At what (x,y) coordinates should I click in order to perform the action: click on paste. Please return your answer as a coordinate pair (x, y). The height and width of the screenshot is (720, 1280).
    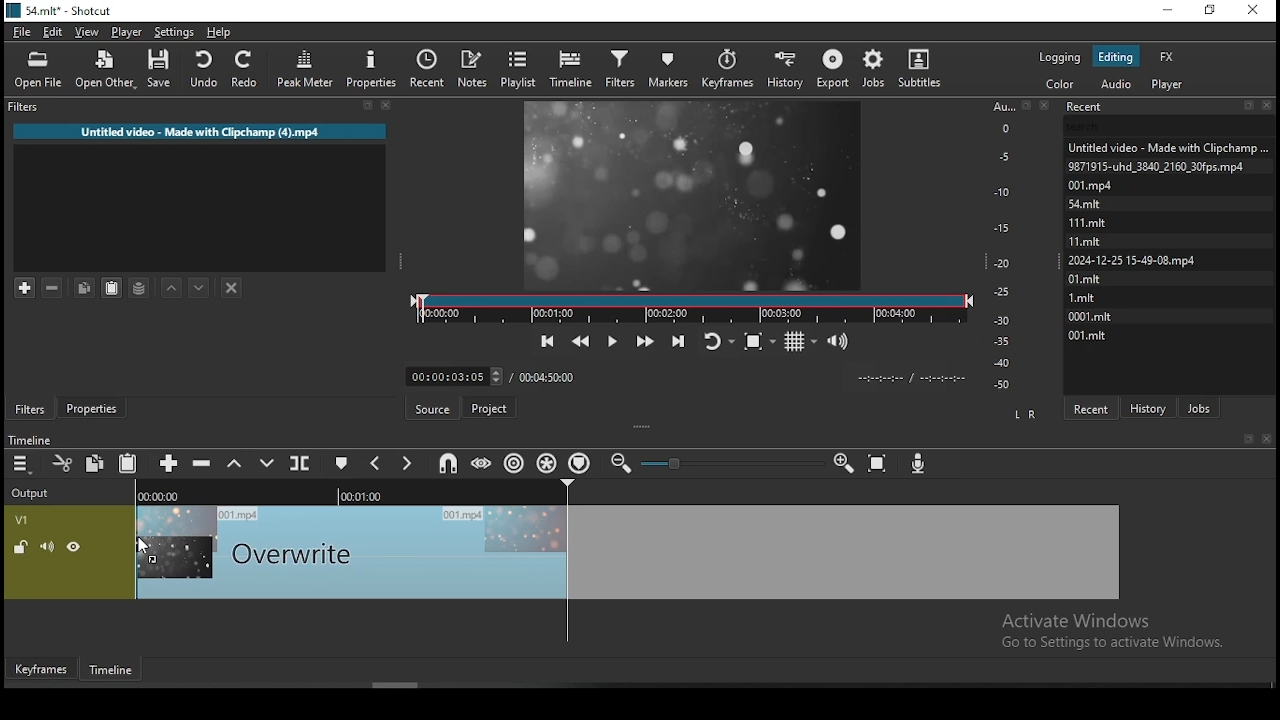
    Looking at the image, I should click on (130, 462).